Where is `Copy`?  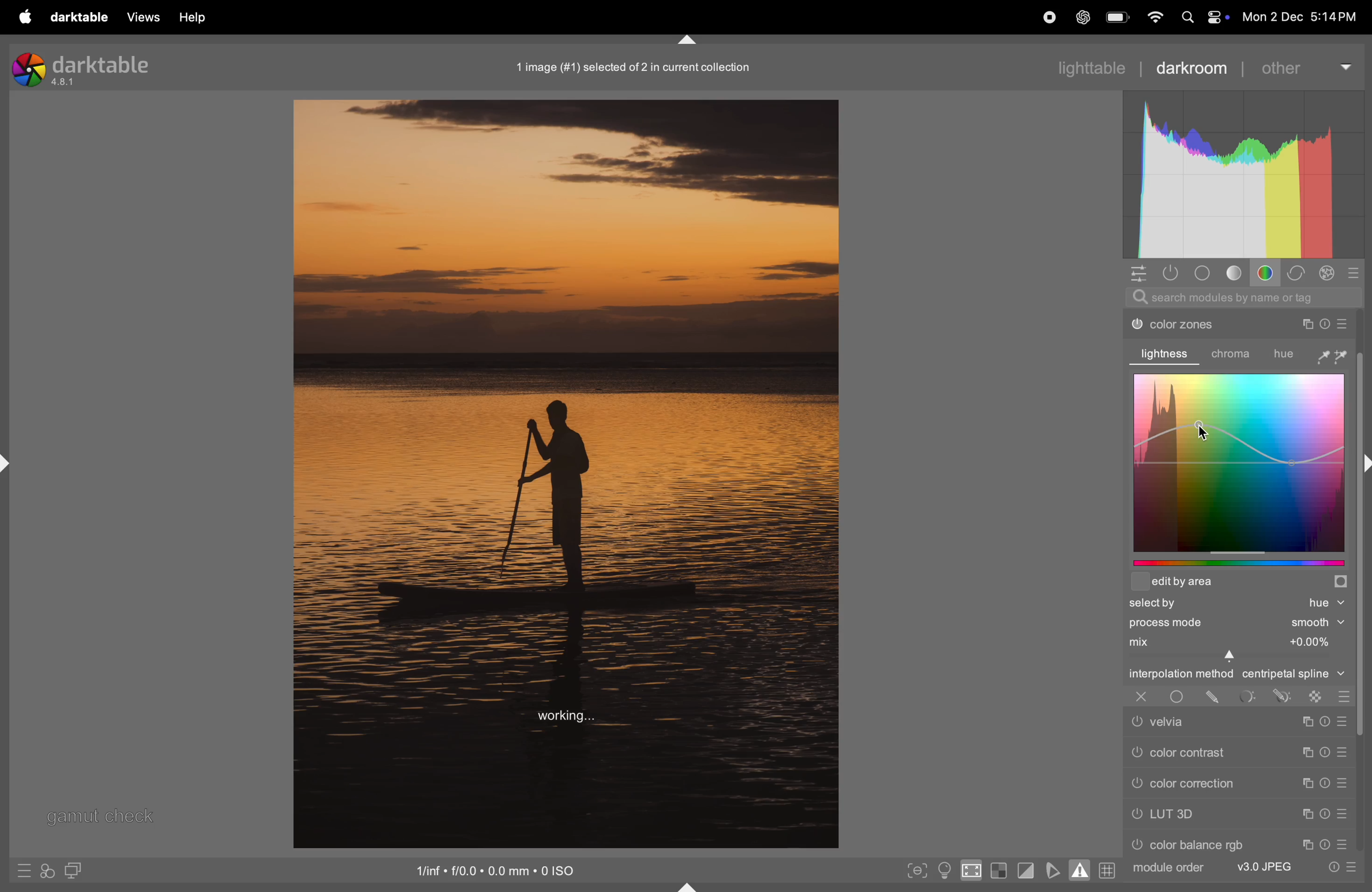
Copy is located at coordinates (1306, 752).